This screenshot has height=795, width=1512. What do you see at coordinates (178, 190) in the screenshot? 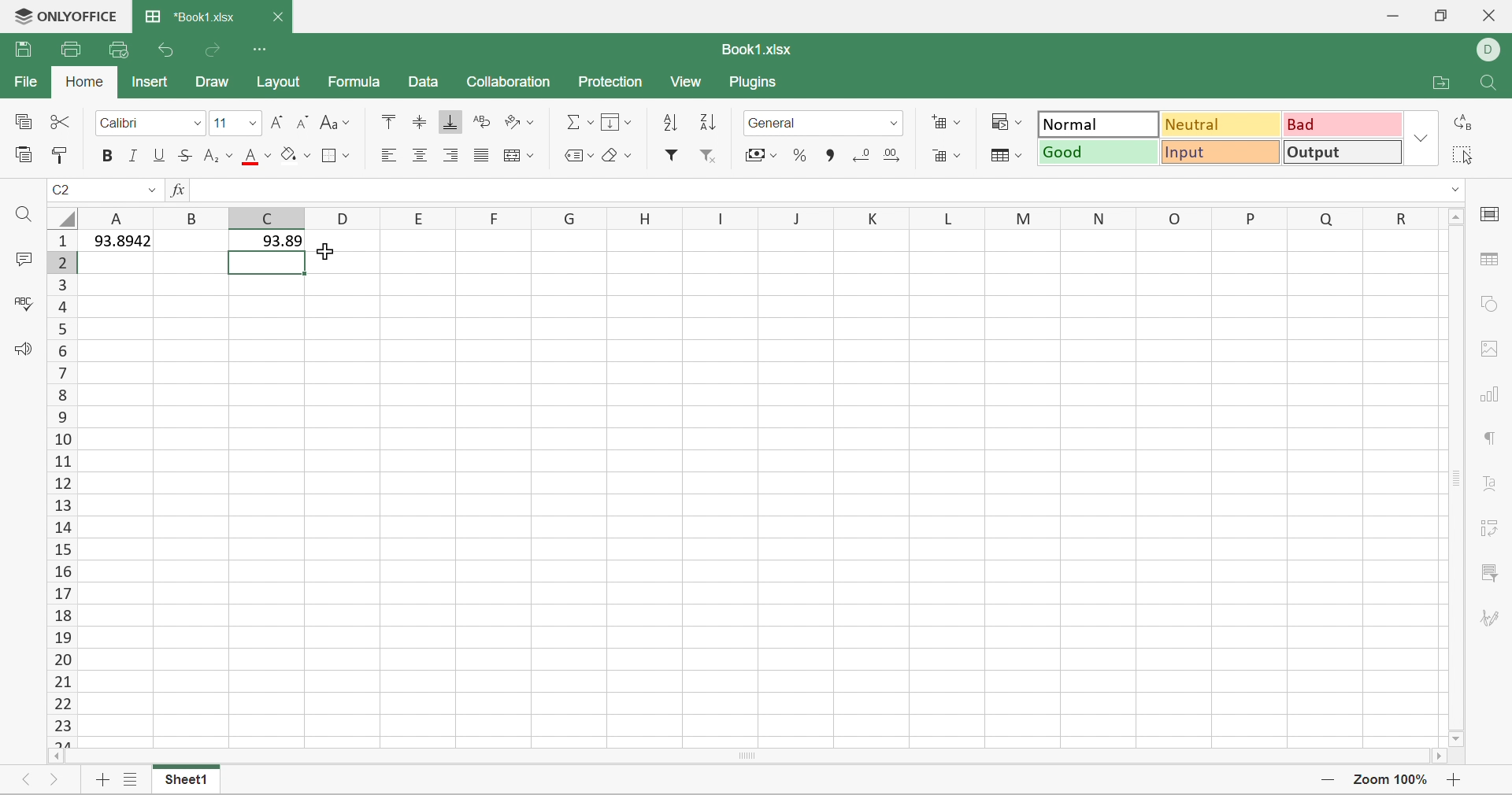
I see `fx` at bounding box center [178, 190].